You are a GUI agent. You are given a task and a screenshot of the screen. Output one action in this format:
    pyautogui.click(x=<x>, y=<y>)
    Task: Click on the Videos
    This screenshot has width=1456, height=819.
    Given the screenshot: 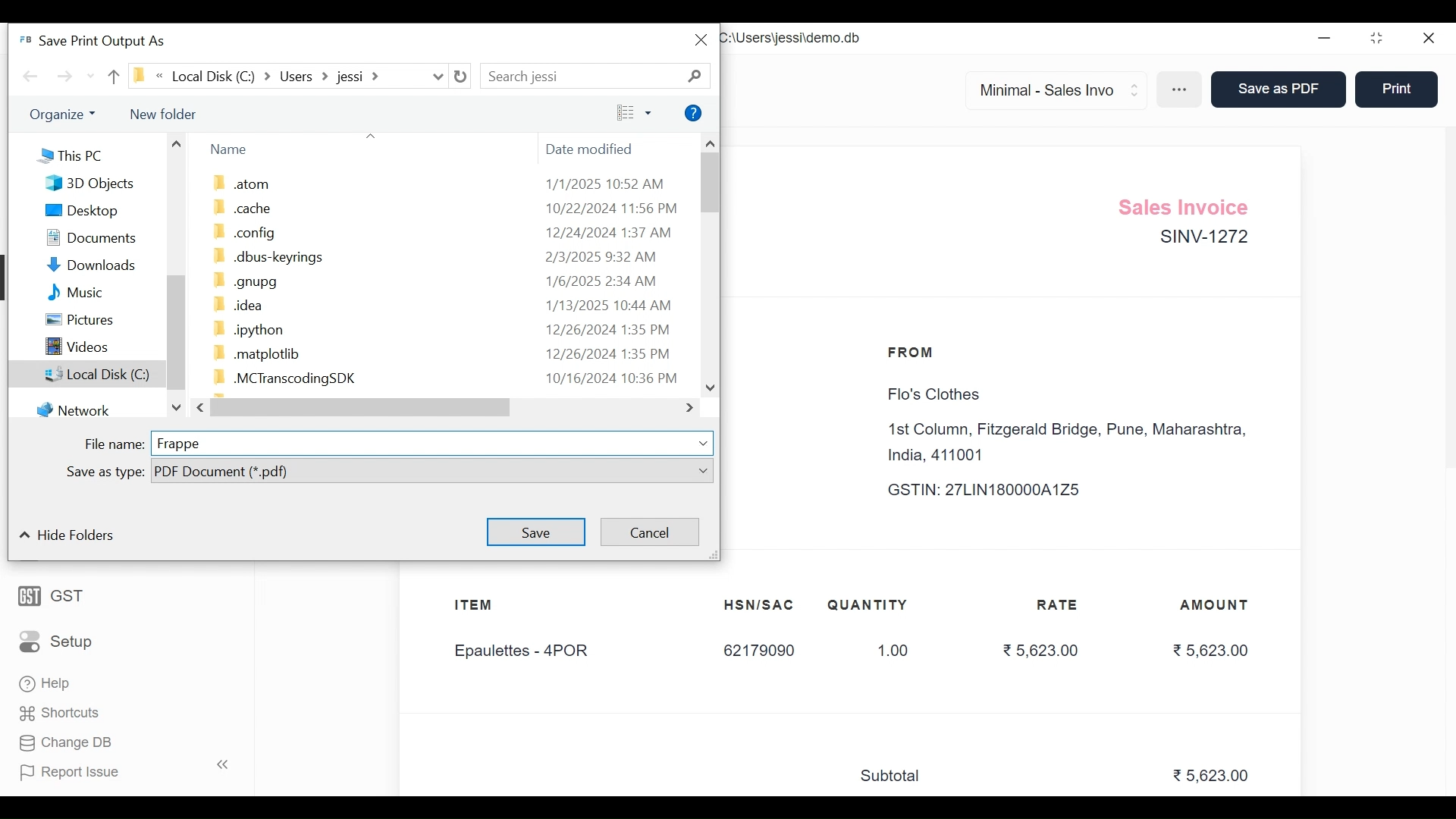 What is the action you would take?
    pyautogui.click(x=74, y=345)
    